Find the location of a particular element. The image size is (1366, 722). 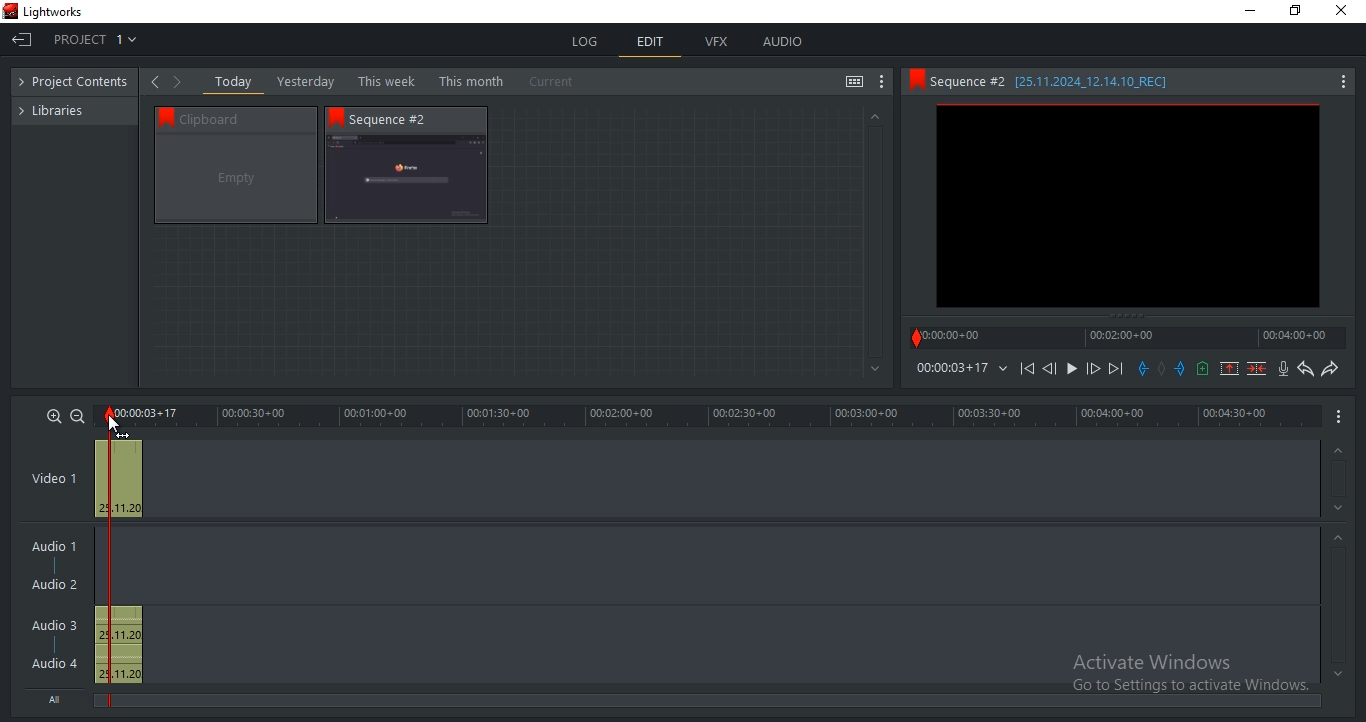

Audio 1 is located at coordinates (50, 548).